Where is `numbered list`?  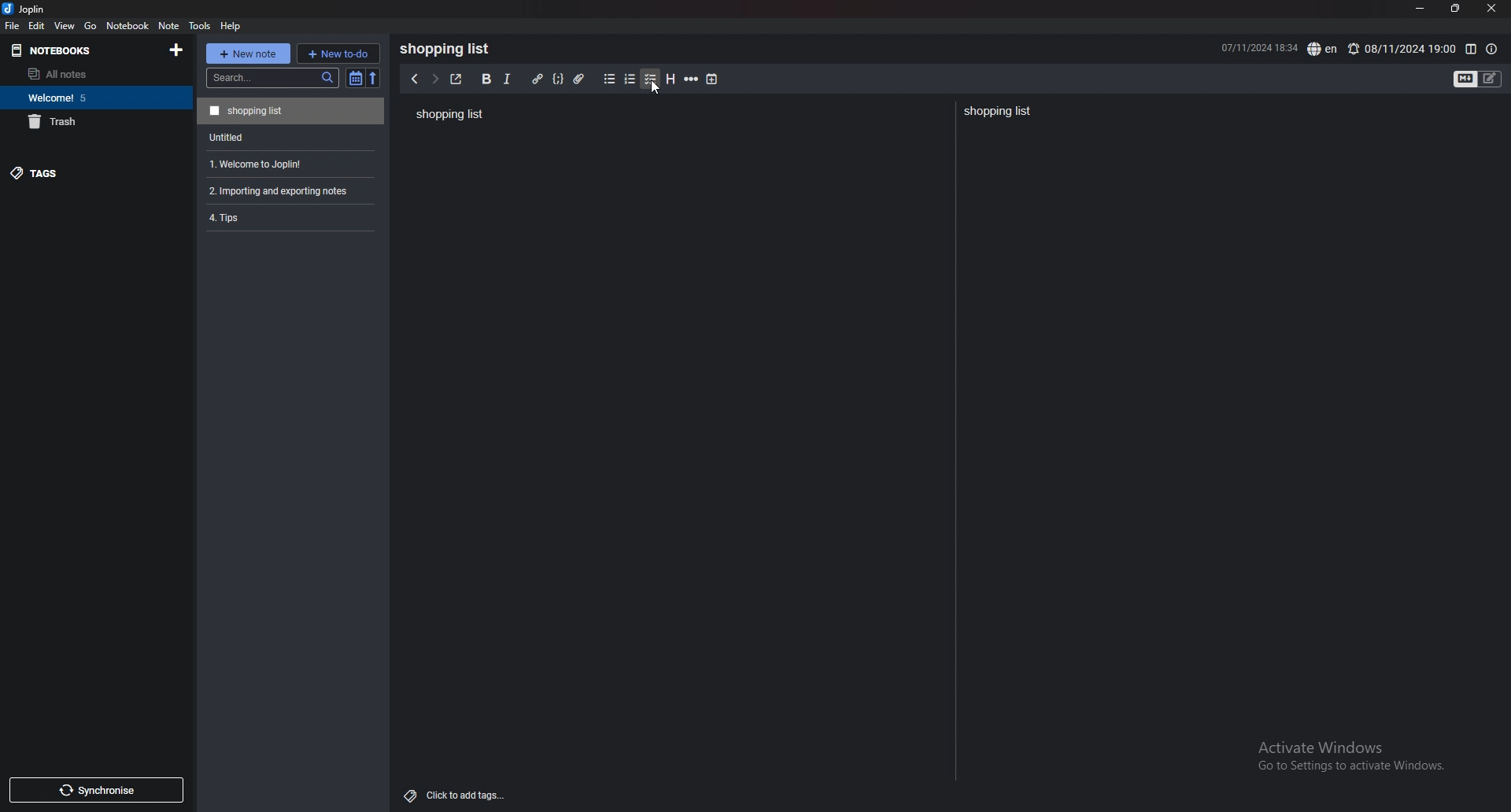
numbered list is located at coordinates (630, 79).